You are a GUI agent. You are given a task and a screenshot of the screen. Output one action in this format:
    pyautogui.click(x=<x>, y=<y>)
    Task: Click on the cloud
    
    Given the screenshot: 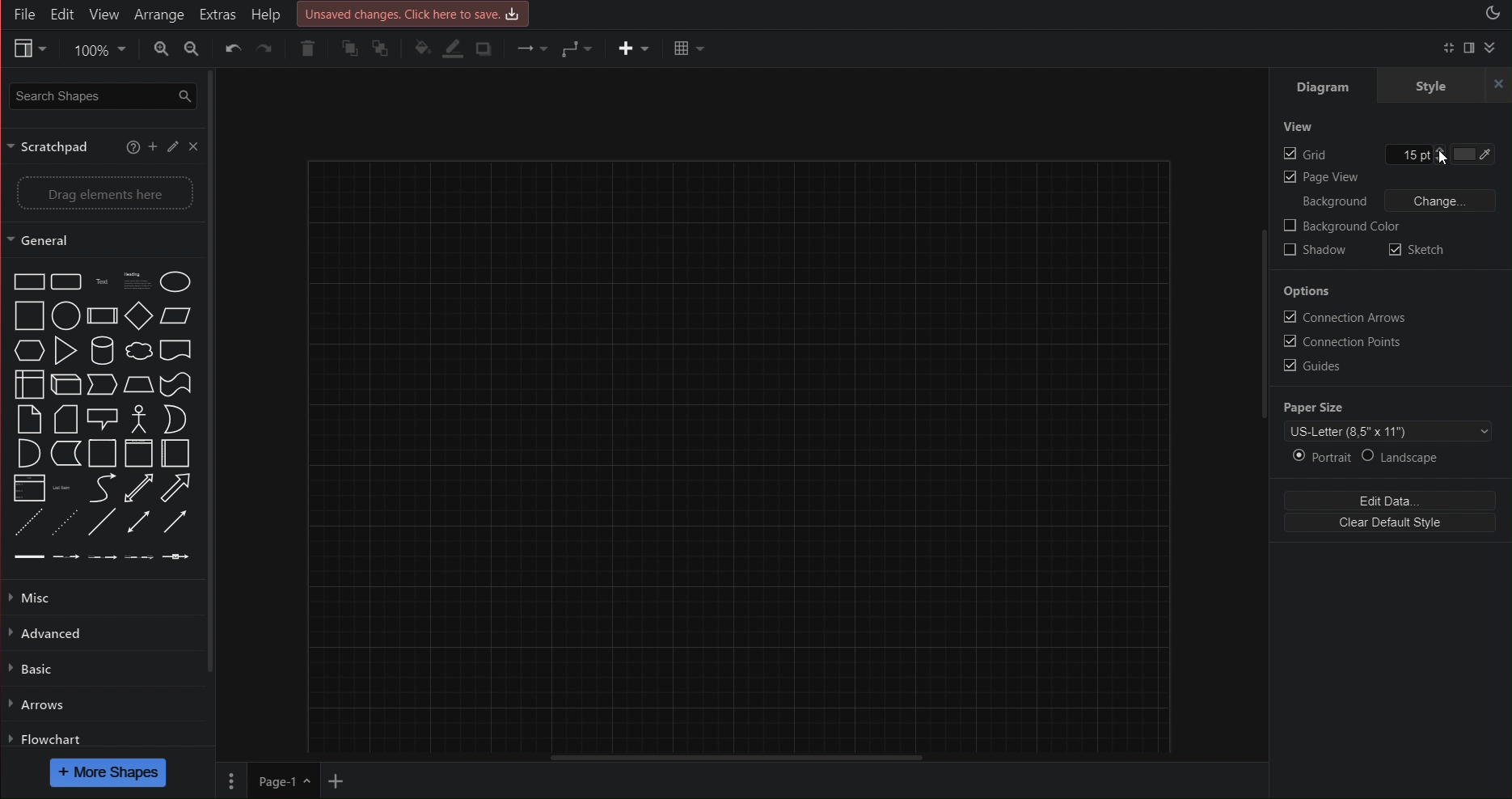 What is the action you would take?
    pyautogui.click(x=137, y=349)
    